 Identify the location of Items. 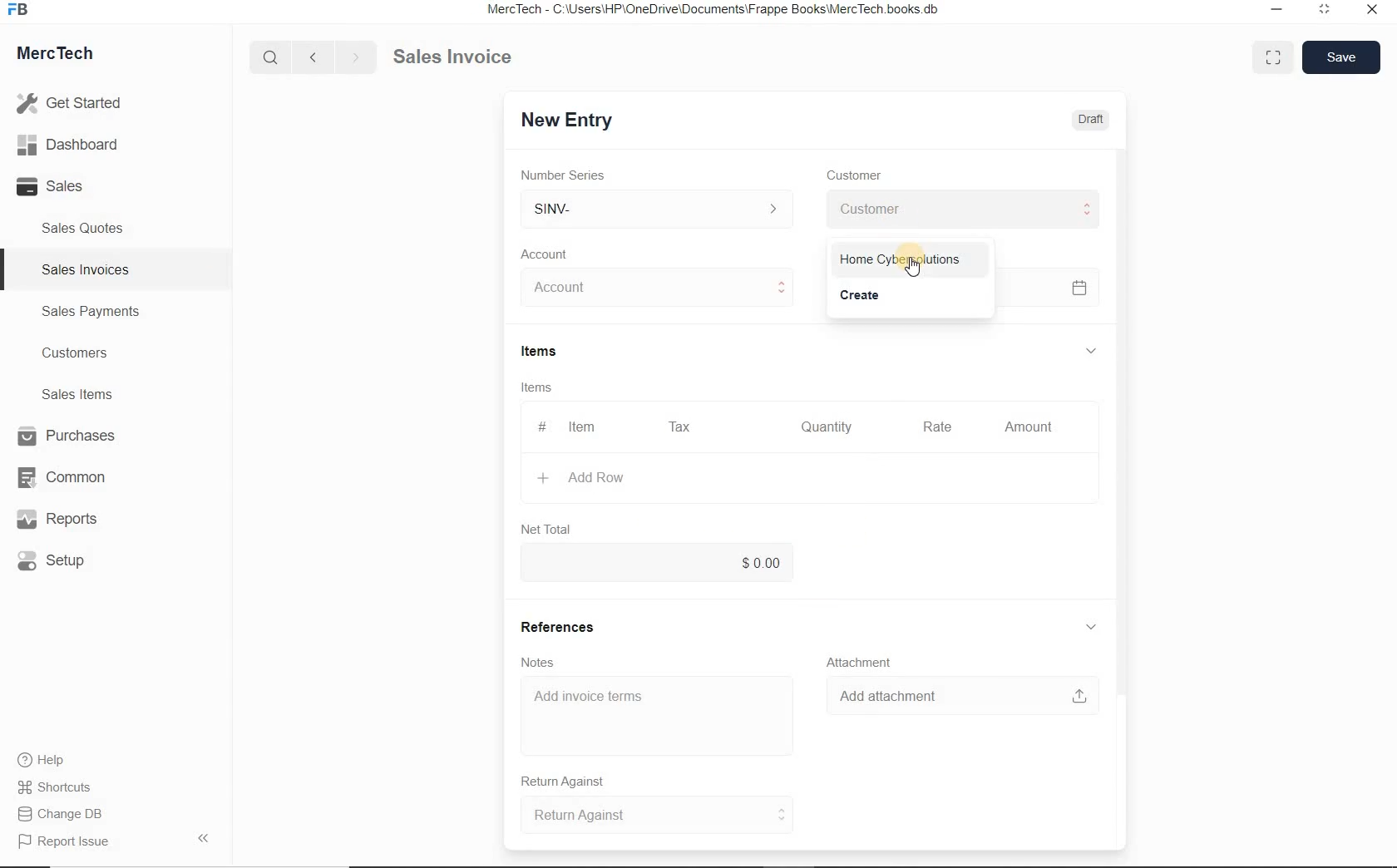
(539, 389).